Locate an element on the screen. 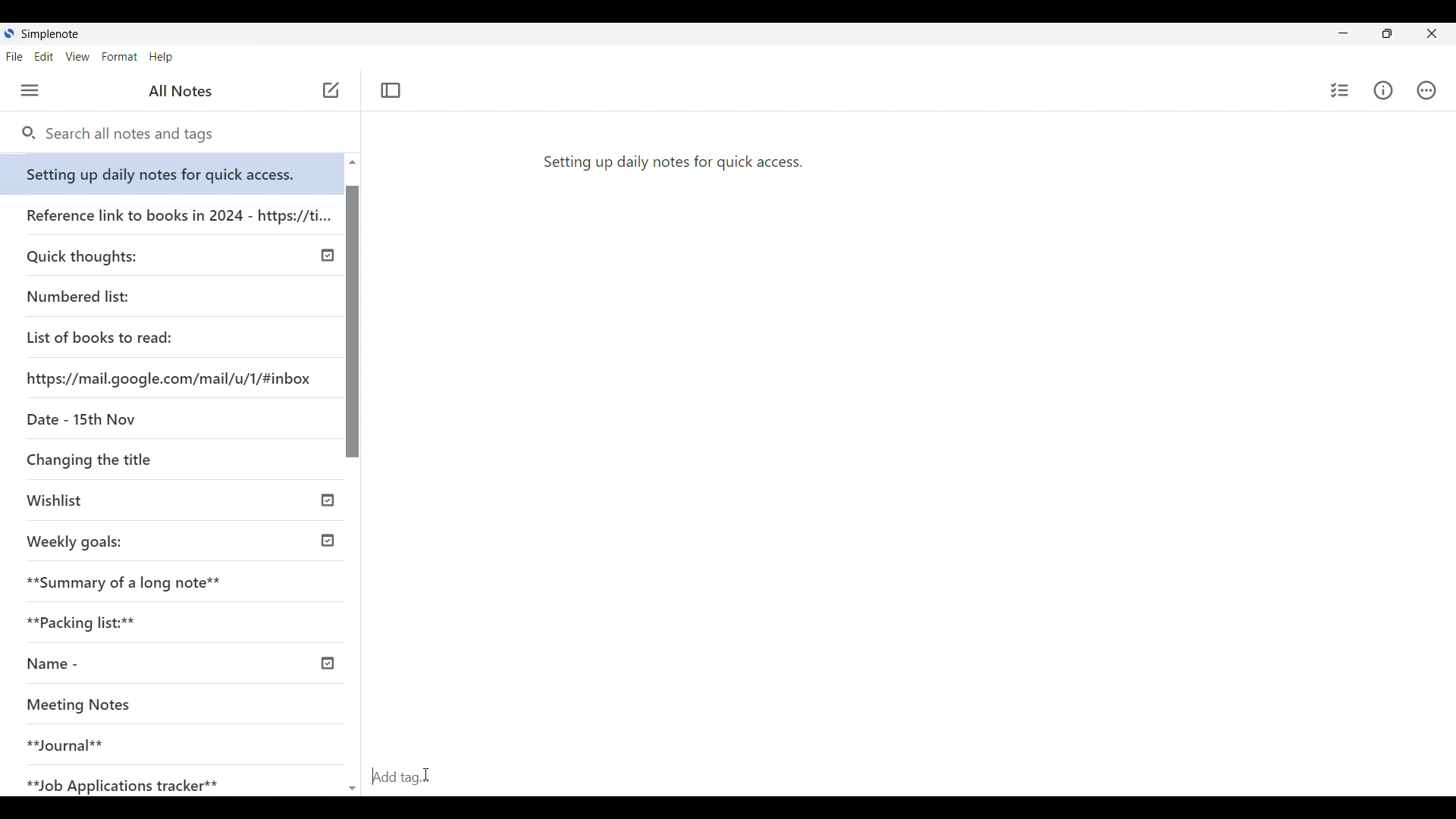 Image resolution: width=1456 pixels, height=819 pixels. Name is located at coordinates (108, 664).